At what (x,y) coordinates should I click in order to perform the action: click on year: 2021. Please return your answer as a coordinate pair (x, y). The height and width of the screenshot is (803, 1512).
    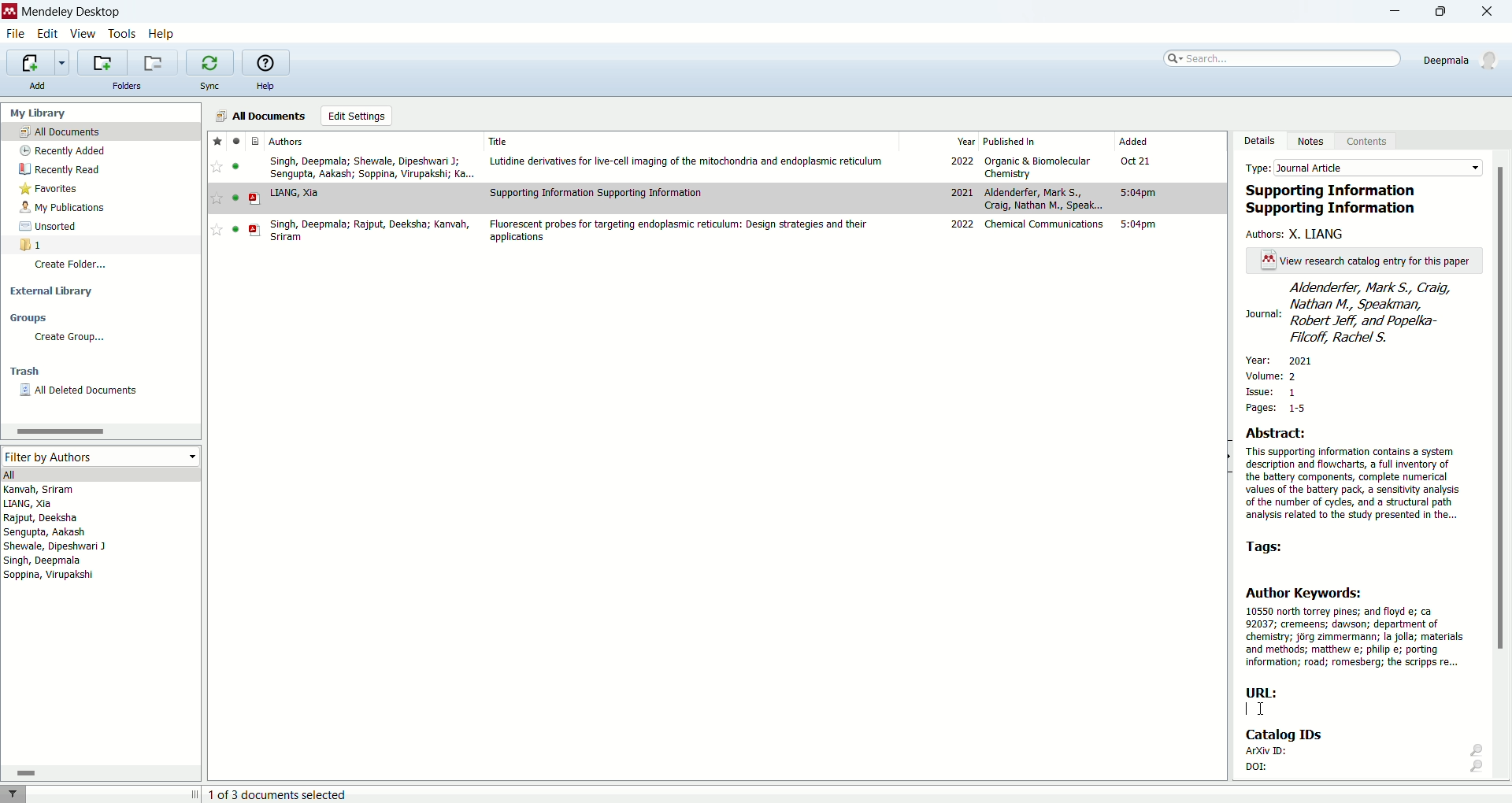
    Looking at the image, I should click on (1288, 359).